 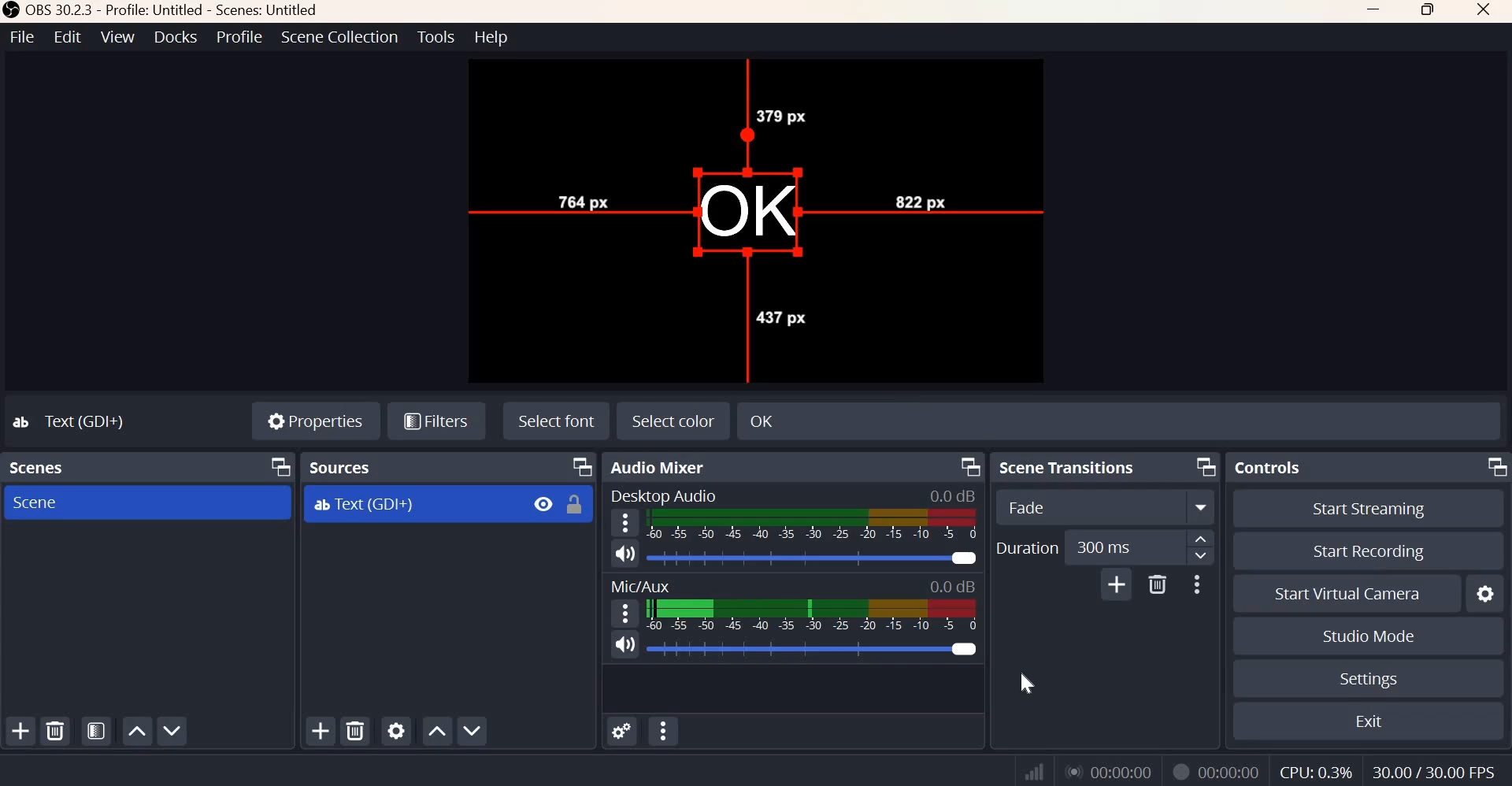 What do you see at coordinates (277, 466) in the screenshot?
I see `Dock Options icon` at bounding box center [277, 466].